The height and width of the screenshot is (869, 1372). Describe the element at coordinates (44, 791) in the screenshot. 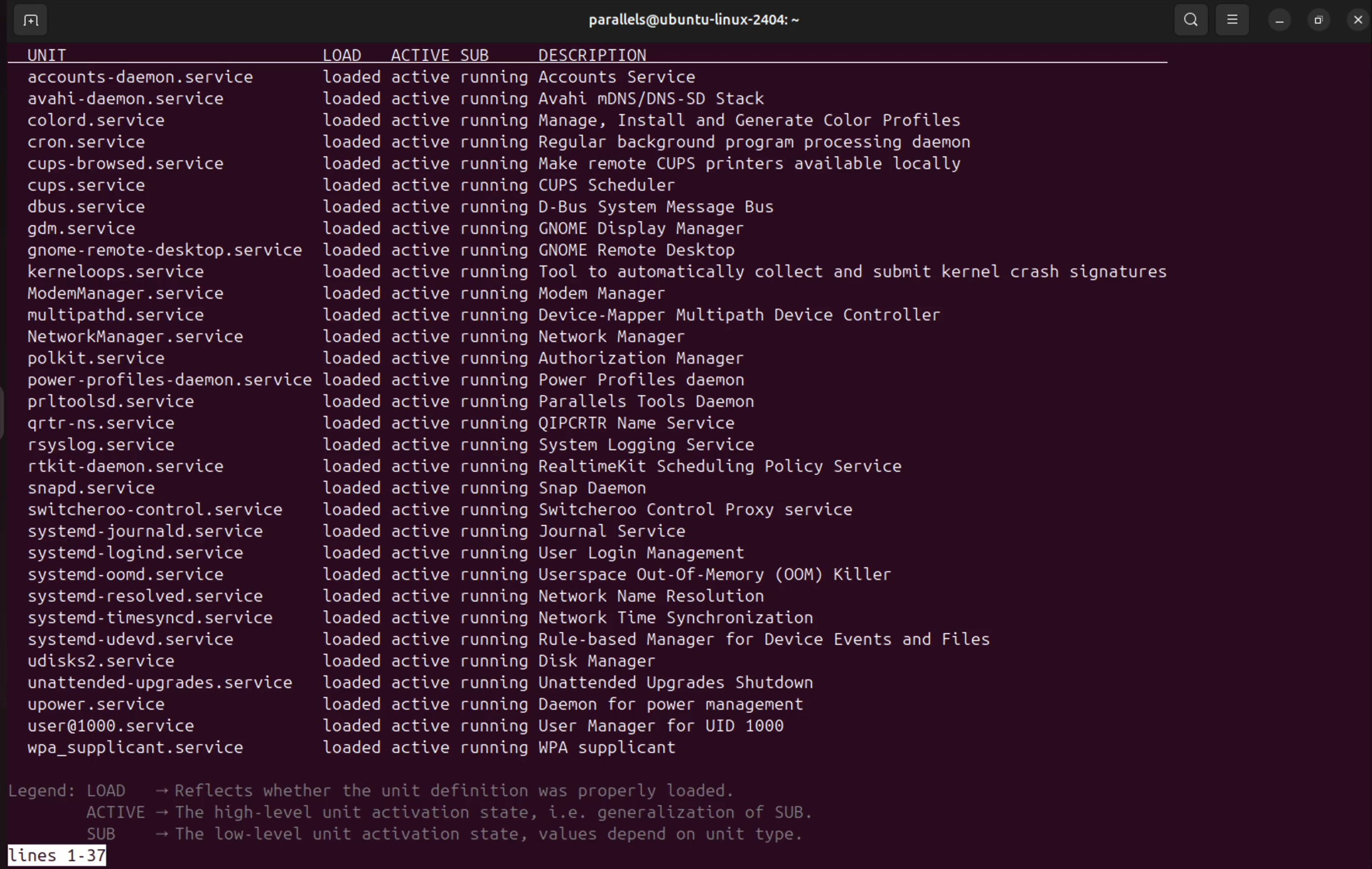

I see `legend` at that location.